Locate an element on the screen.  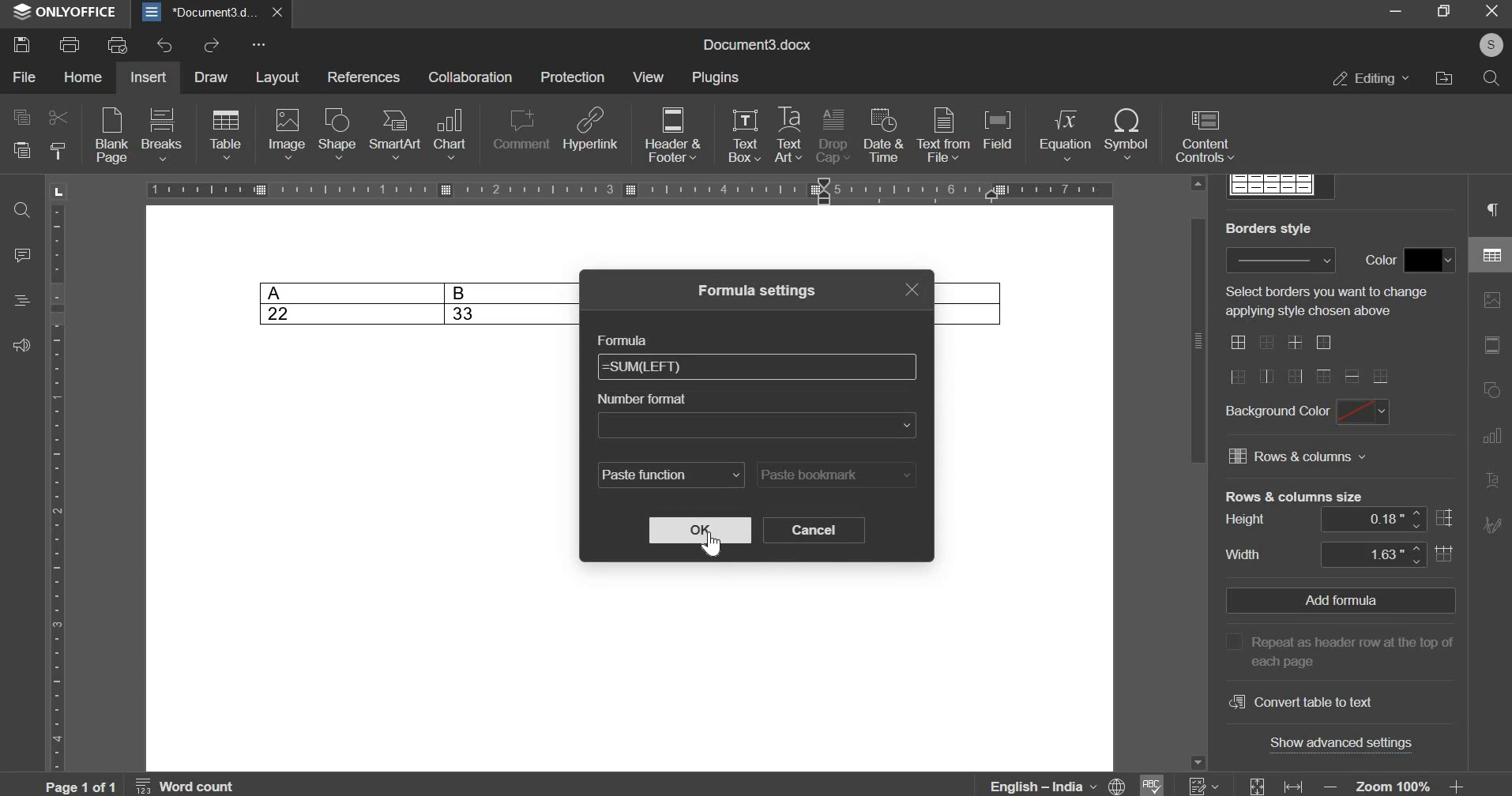
equation is located at coordinates (1063, 135).